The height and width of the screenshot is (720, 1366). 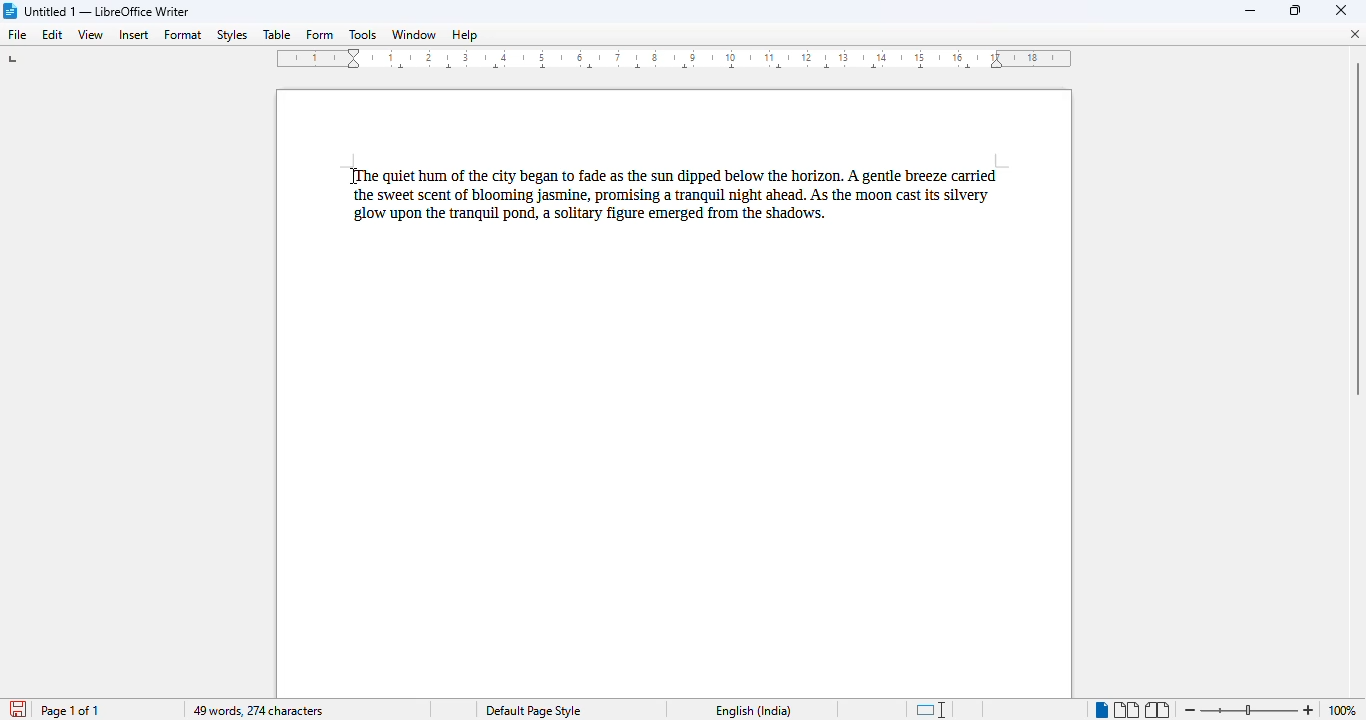 What do you see at coordinates (677, 197) in the screenshot?
I see `paragraph` at bounding box center [677, 197].